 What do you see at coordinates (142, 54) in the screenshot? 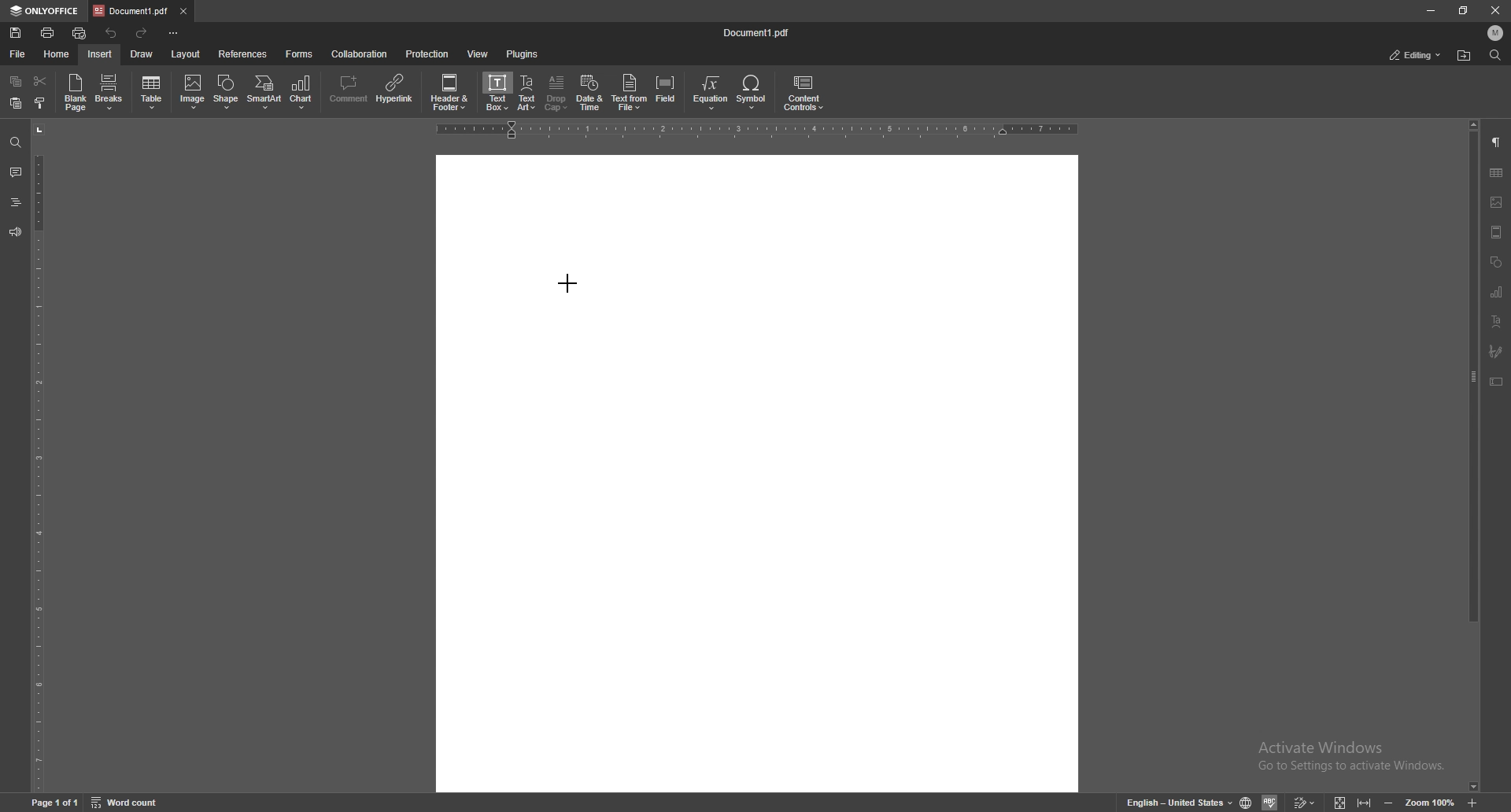
I see `draw` at bounding box center [142, 54].